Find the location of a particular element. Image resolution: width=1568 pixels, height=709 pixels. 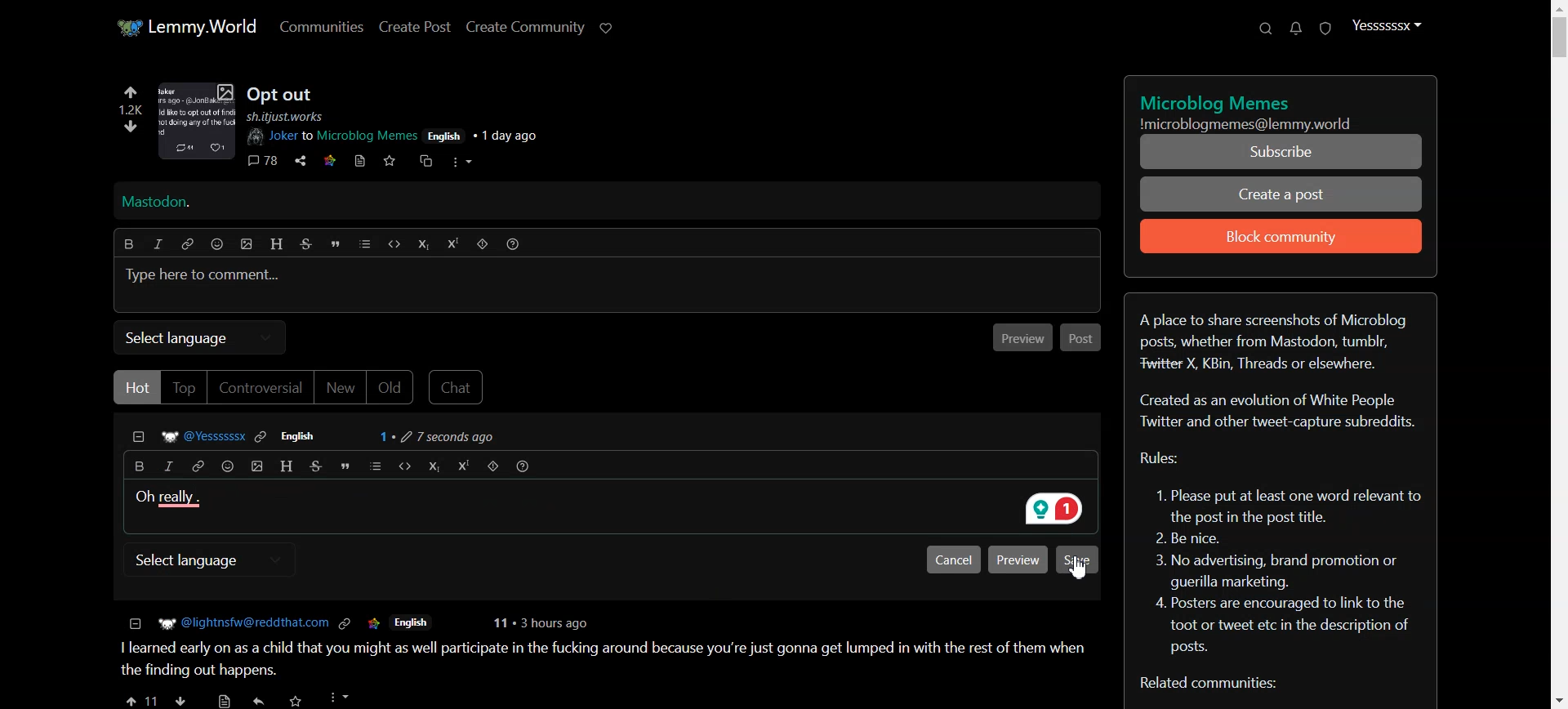

Communities is located at coordinates (320, 26).